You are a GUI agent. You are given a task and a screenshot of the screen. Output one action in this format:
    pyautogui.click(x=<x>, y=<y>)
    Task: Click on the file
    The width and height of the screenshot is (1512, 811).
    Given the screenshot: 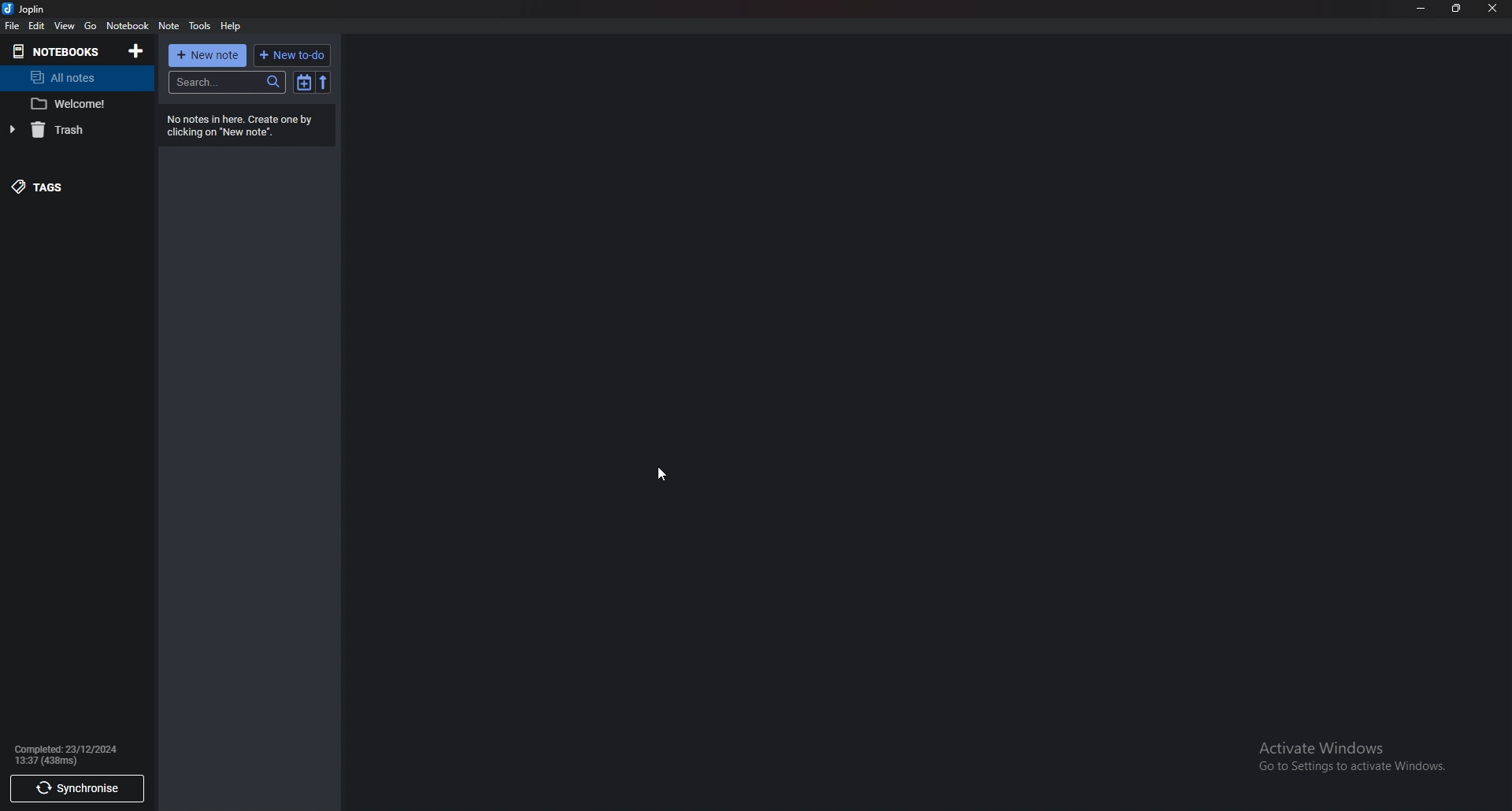 What is the action you would take?
    pyautogui.click(x=13, y=26)
    